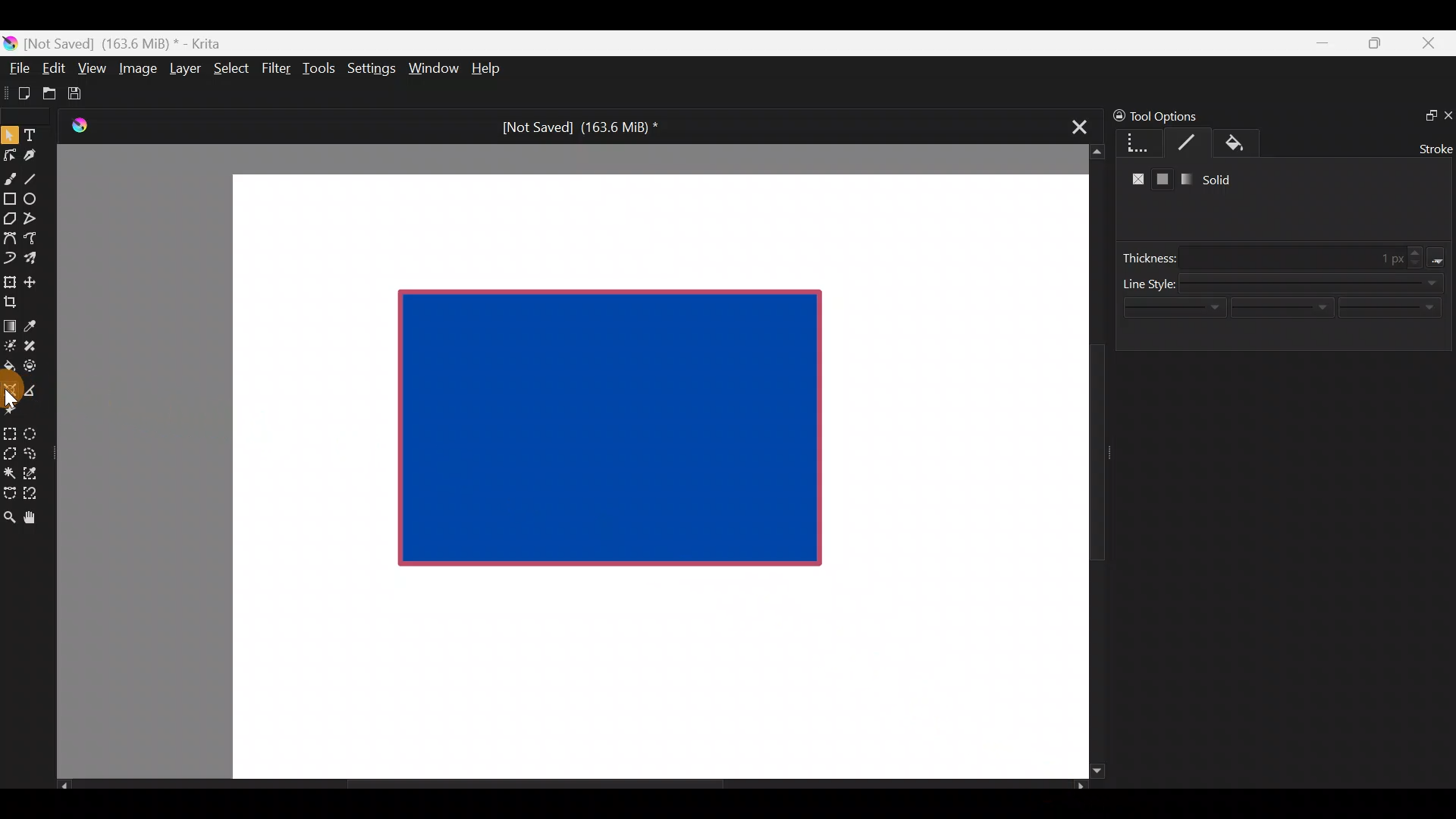 This screenshot has width=1456, height=819. Describe the element at coordinates (277, 67) in the screenshot. I see `Filter` at that location.